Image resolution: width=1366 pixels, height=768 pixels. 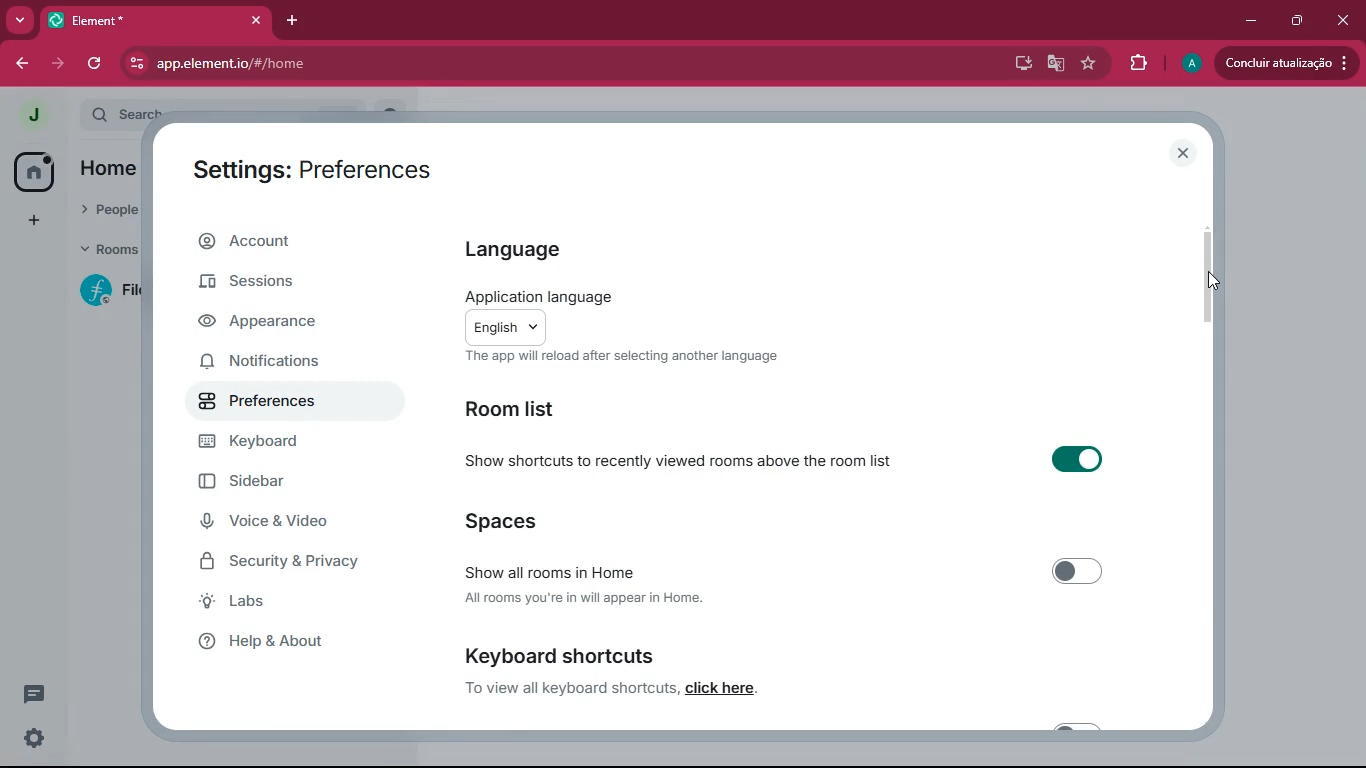 I want to click on language, so click(x=523, y=247).